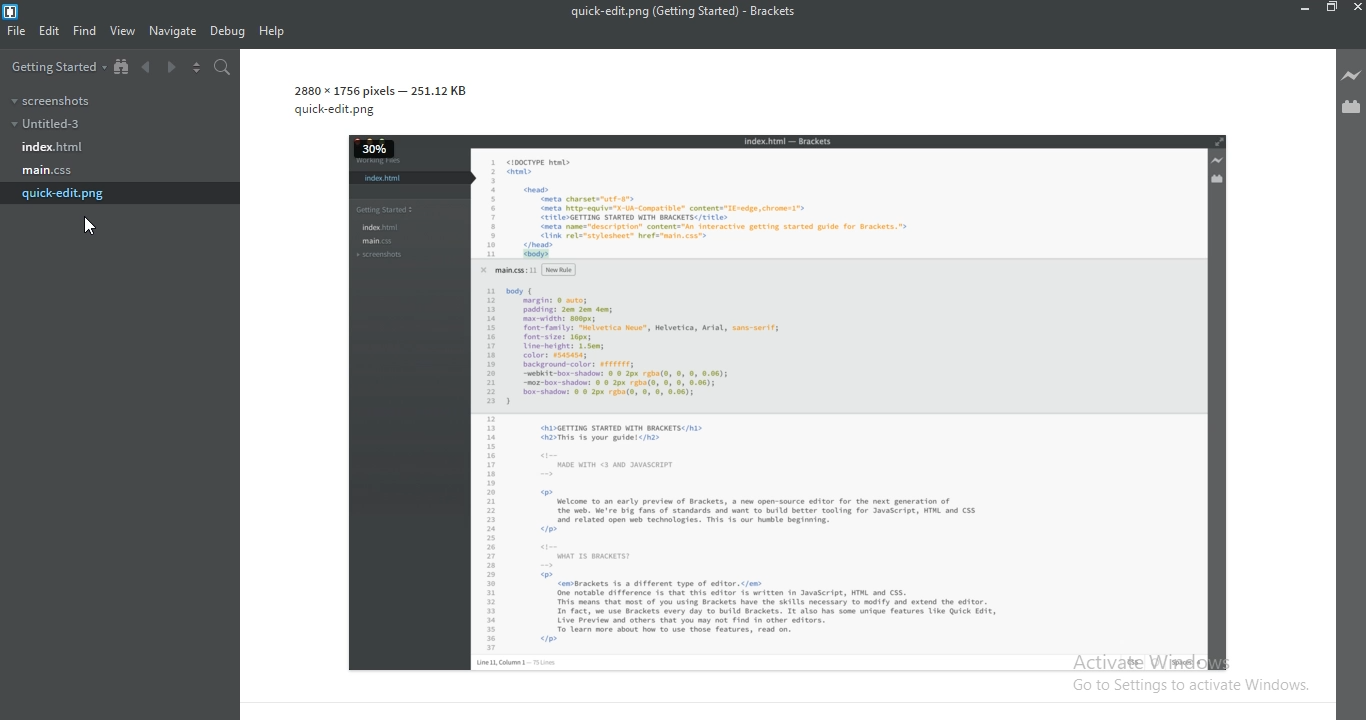  I want to click on file, so click(18, 33).